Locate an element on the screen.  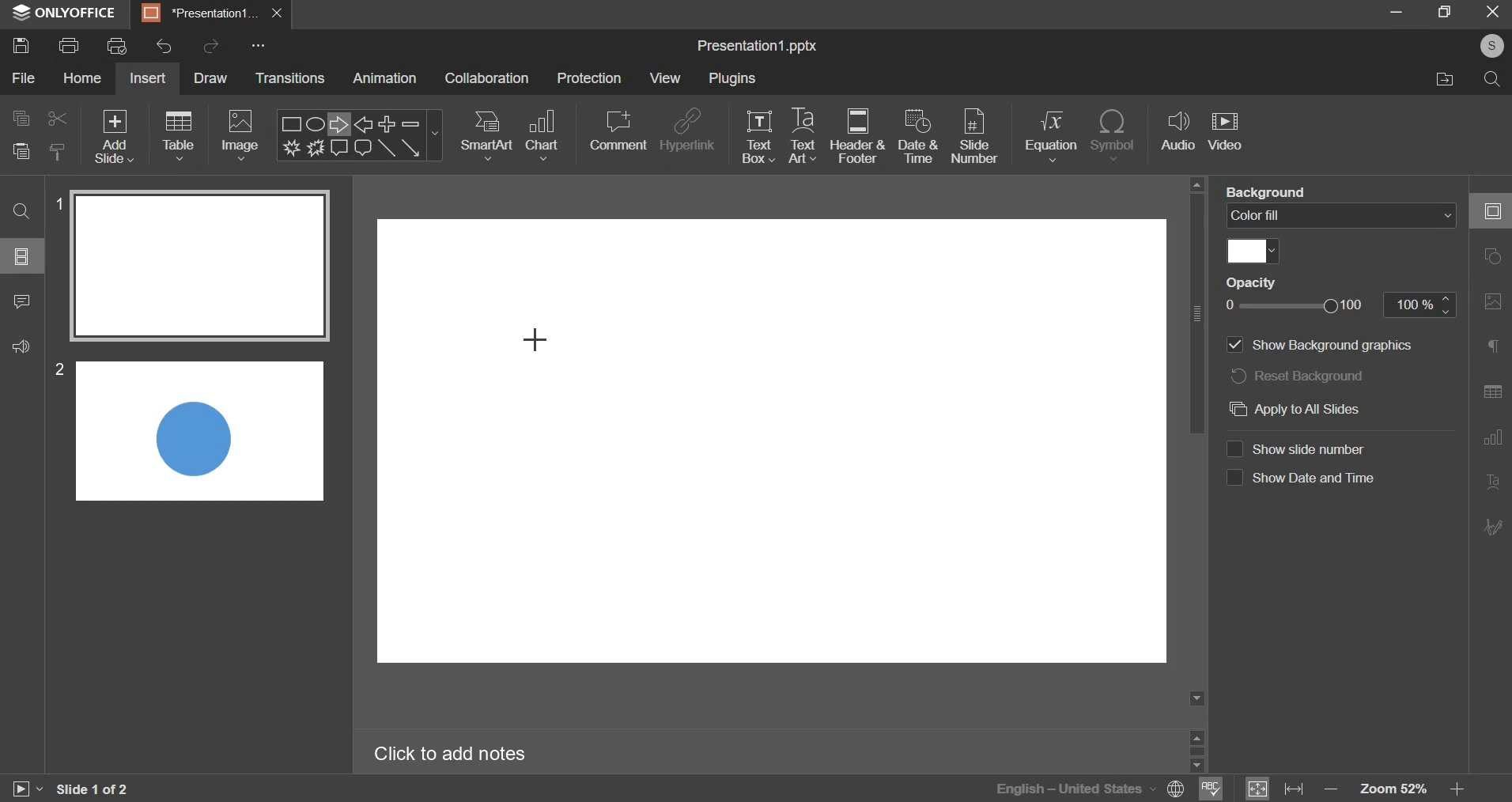
 is located at coordinates (114, 113).